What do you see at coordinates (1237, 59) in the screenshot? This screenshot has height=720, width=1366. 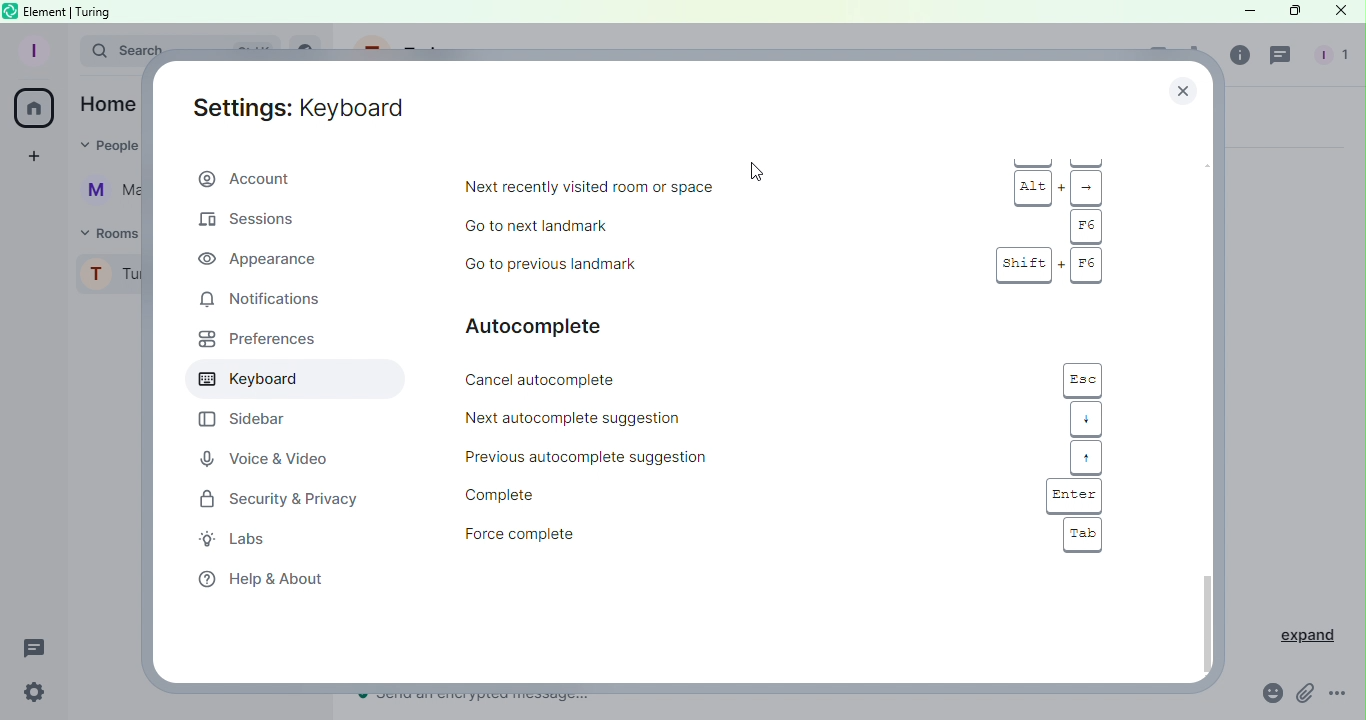 I see `Room info` at bounding box center [1237, 59].